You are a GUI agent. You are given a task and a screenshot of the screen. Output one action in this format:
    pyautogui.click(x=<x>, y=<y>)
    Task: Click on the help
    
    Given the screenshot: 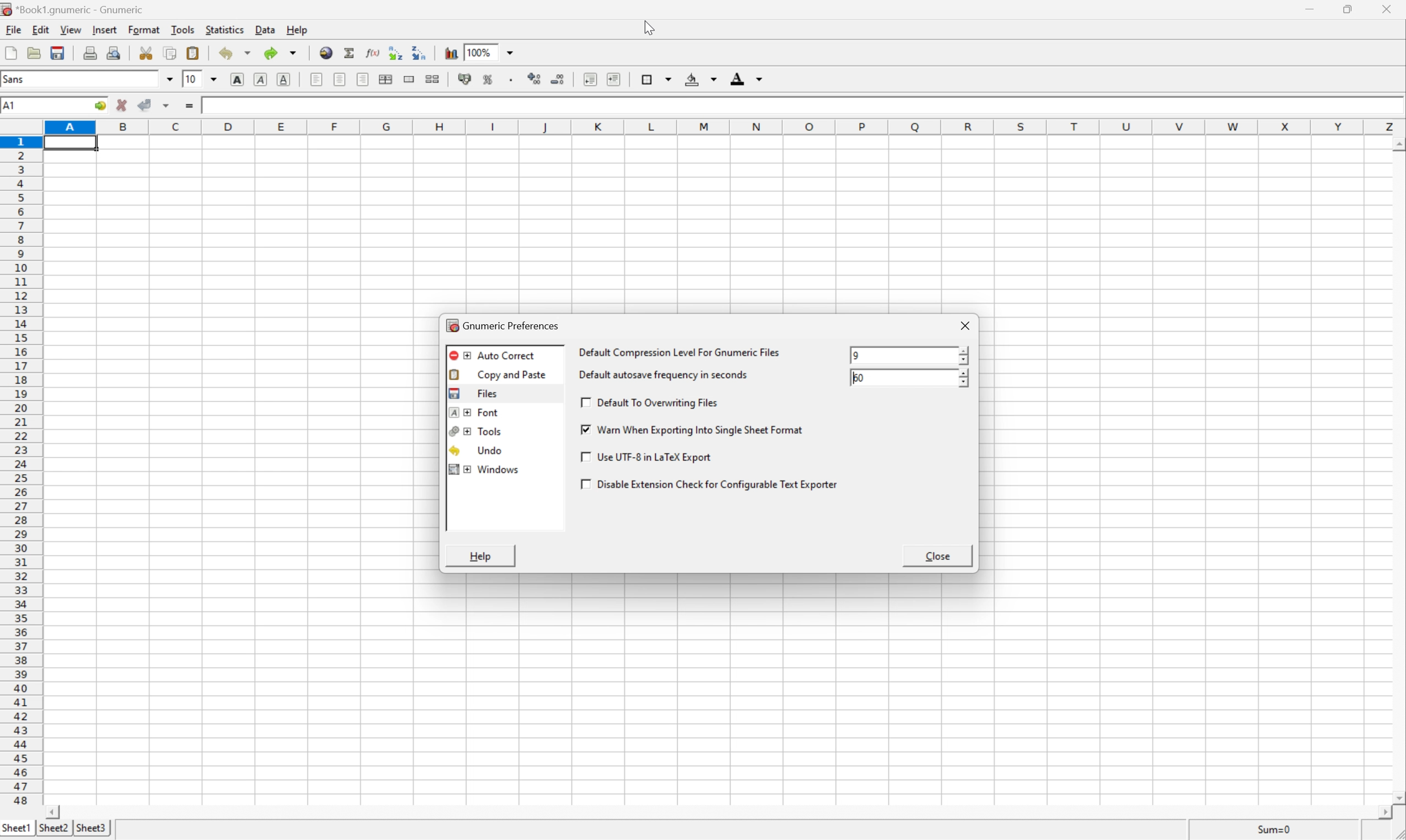 What is the action you would take?
    pyautogui.click(x=298, y=29)
    